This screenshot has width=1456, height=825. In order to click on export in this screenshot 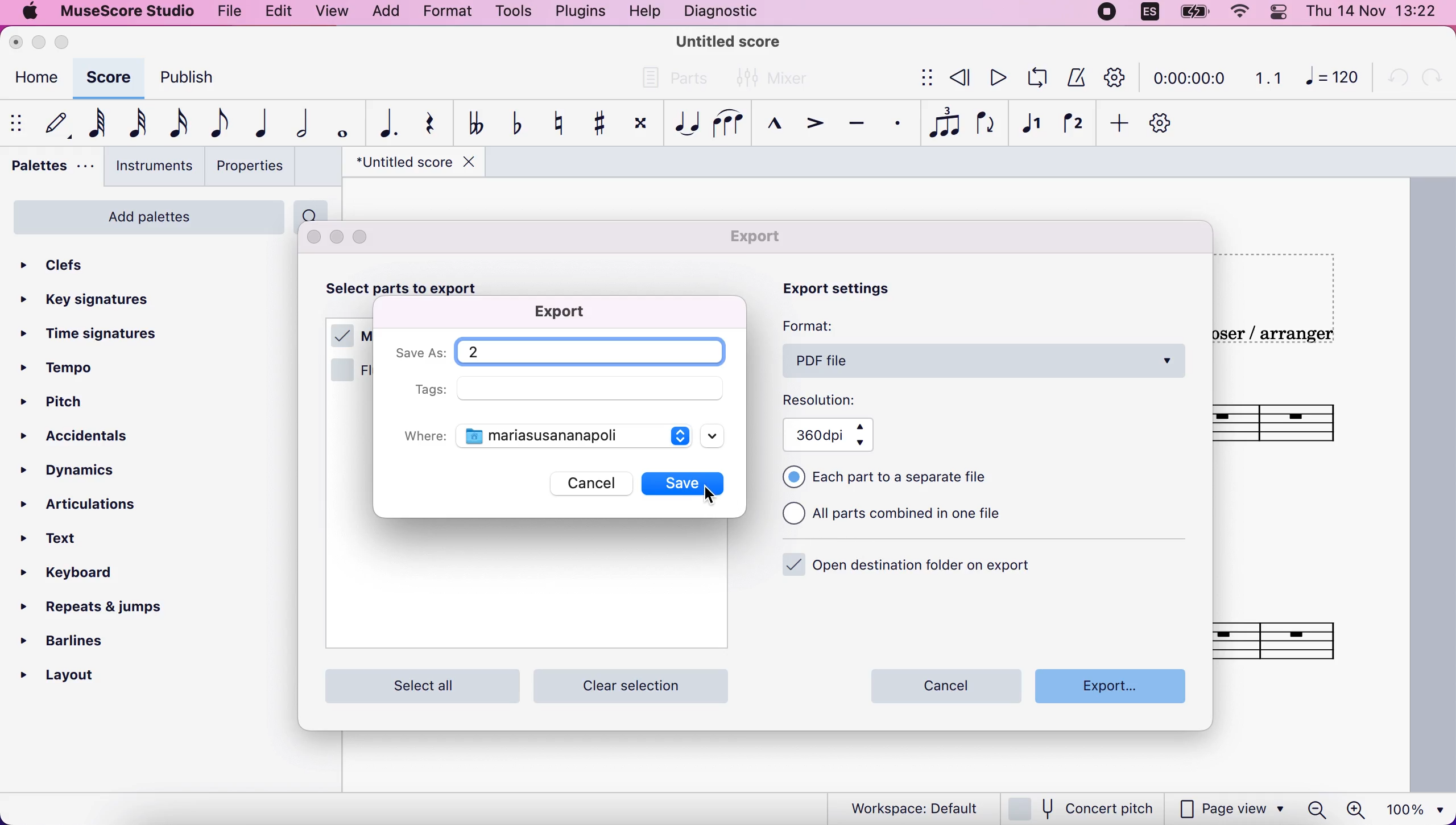, I will do `click(1108, 687)`.